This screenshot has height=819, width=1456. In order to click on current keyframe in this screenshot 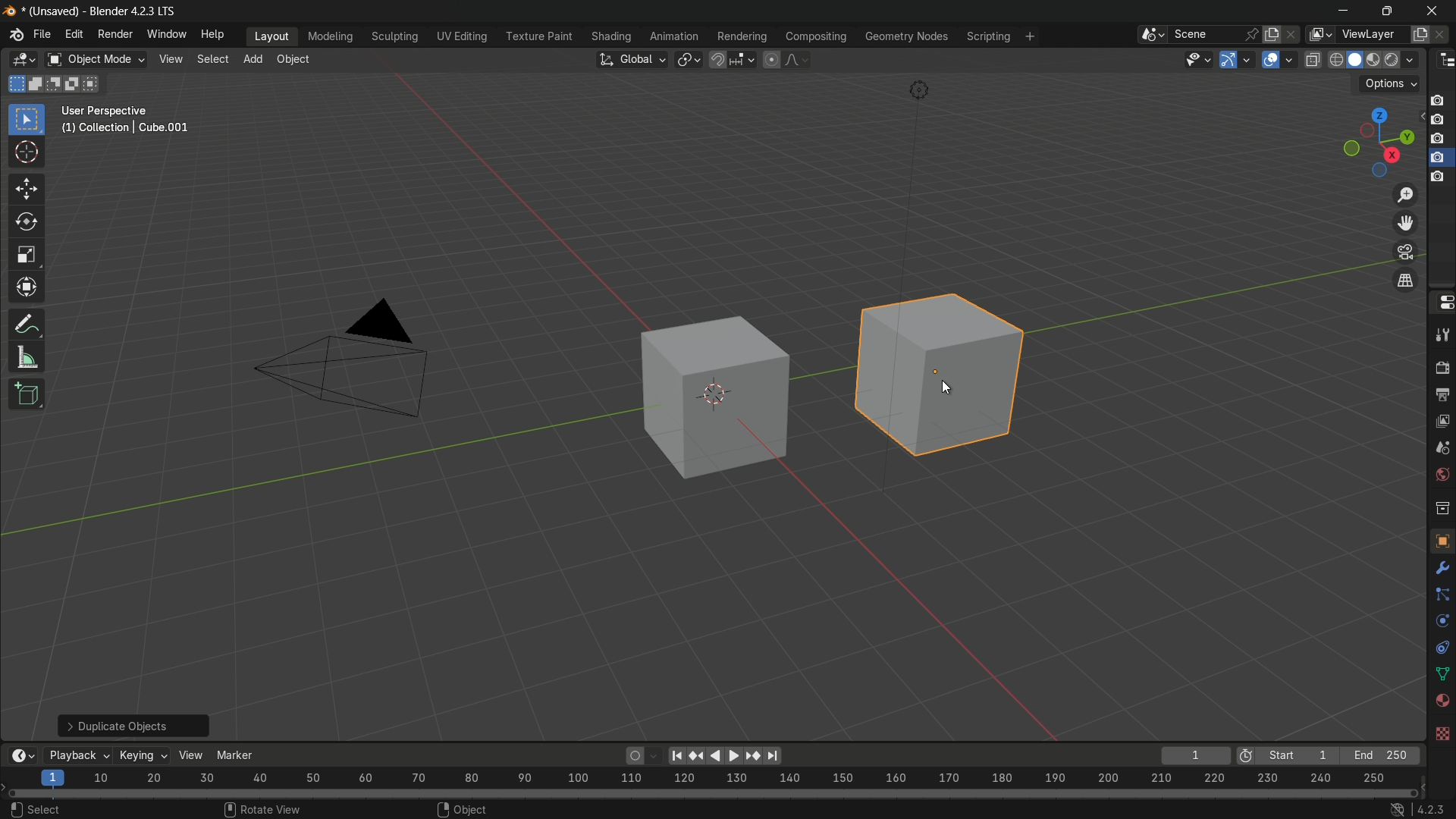, I will do `click(1196, 755)`.